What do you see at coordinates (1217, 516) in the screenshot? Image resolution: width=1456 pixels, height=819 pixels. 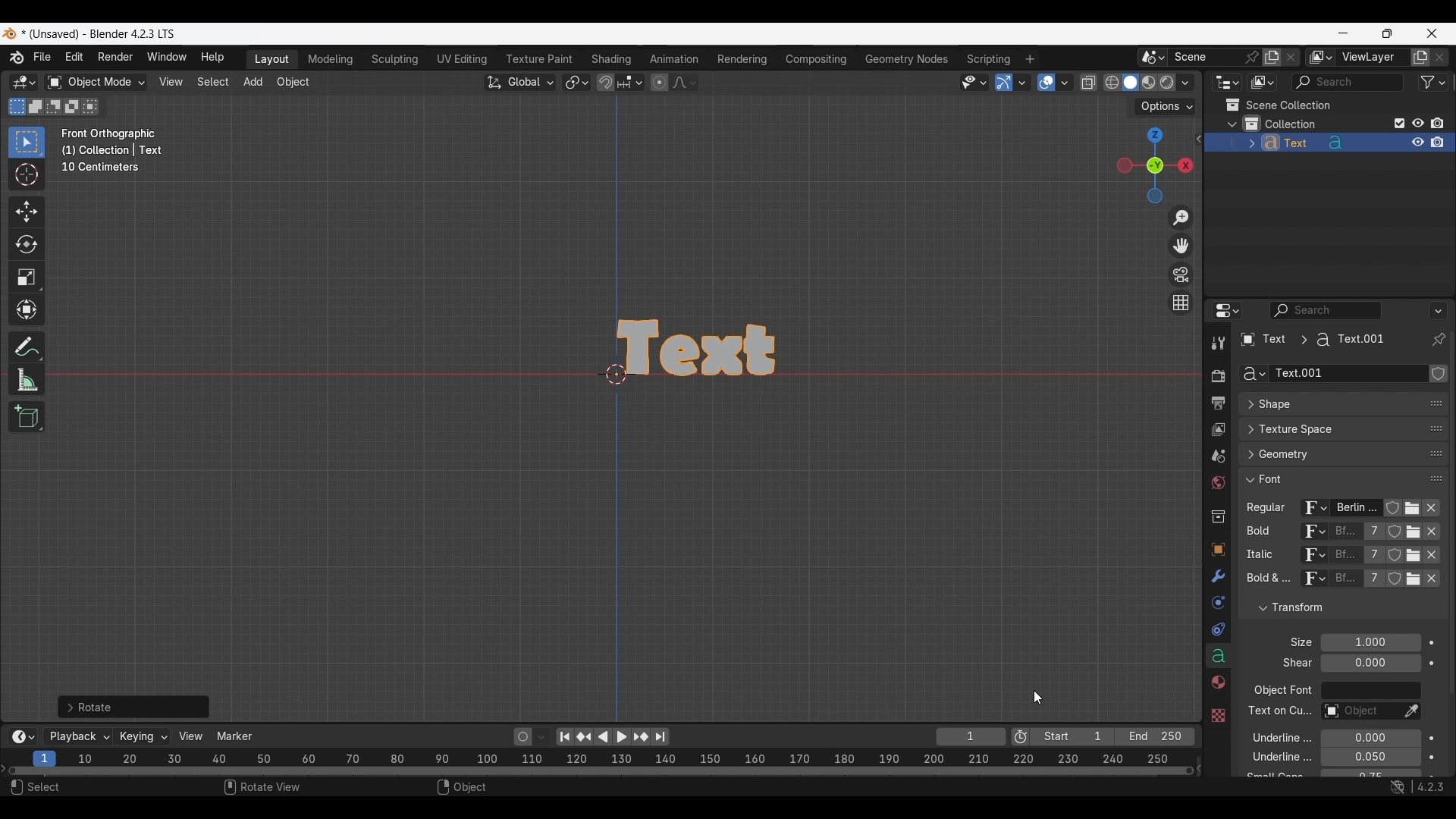 I see `Collection` at bounding box center [1217, 516].